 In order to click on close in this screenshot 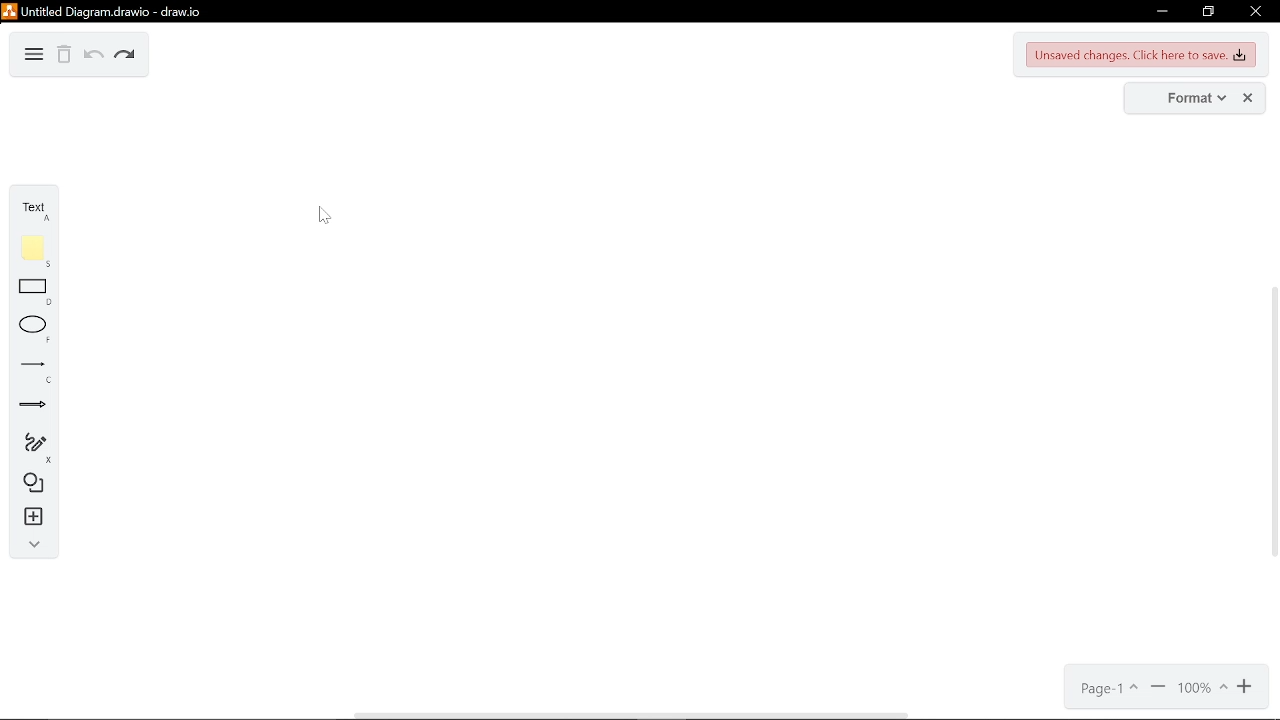, I will do `click(1248, 99)`.